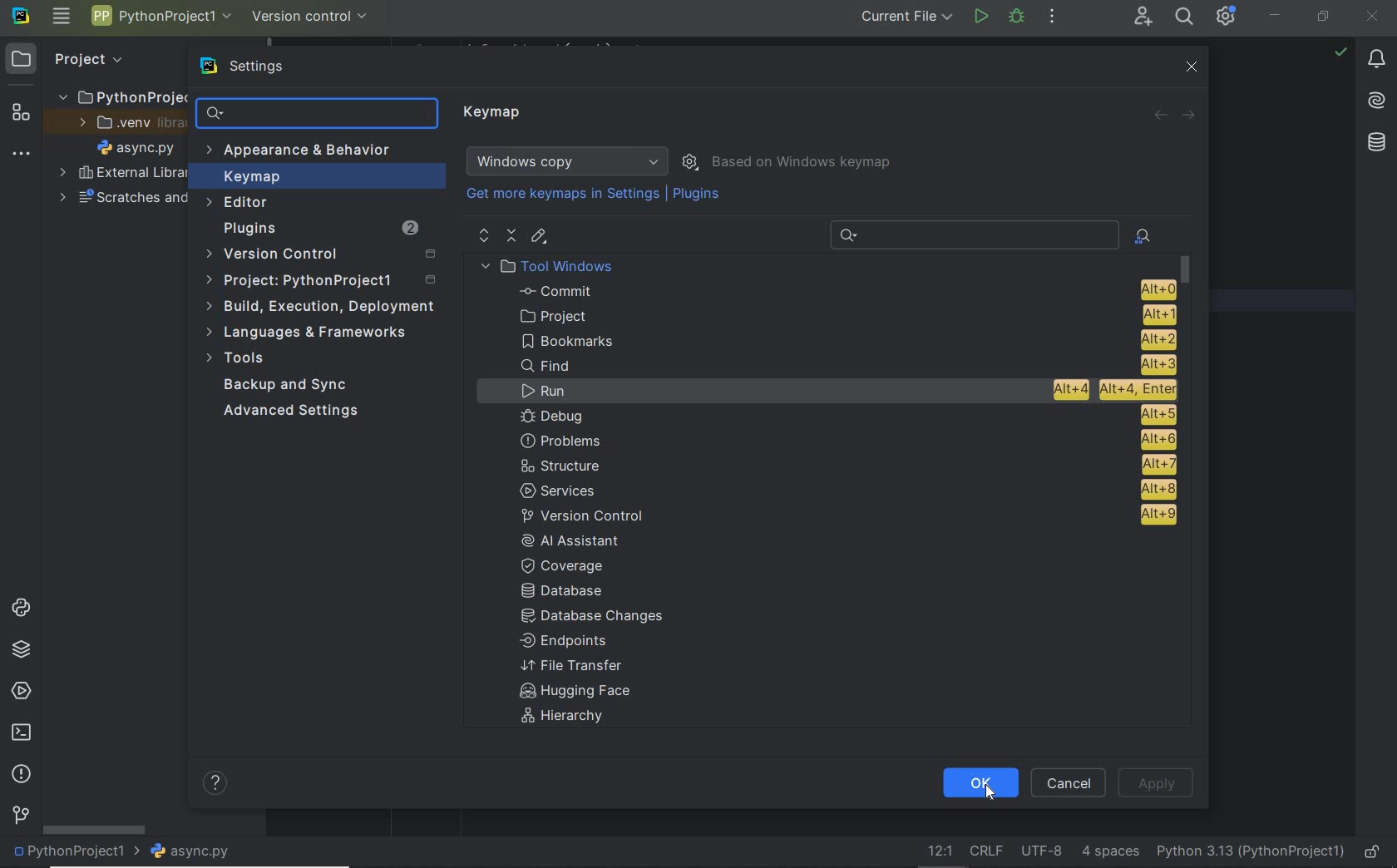 Image resolution: width=1397 pixels, height=868 pixels. What do you see at coordinates (582, 540) in the screenshot?
I see `AI Assistant` at bounding box center [582, 540].